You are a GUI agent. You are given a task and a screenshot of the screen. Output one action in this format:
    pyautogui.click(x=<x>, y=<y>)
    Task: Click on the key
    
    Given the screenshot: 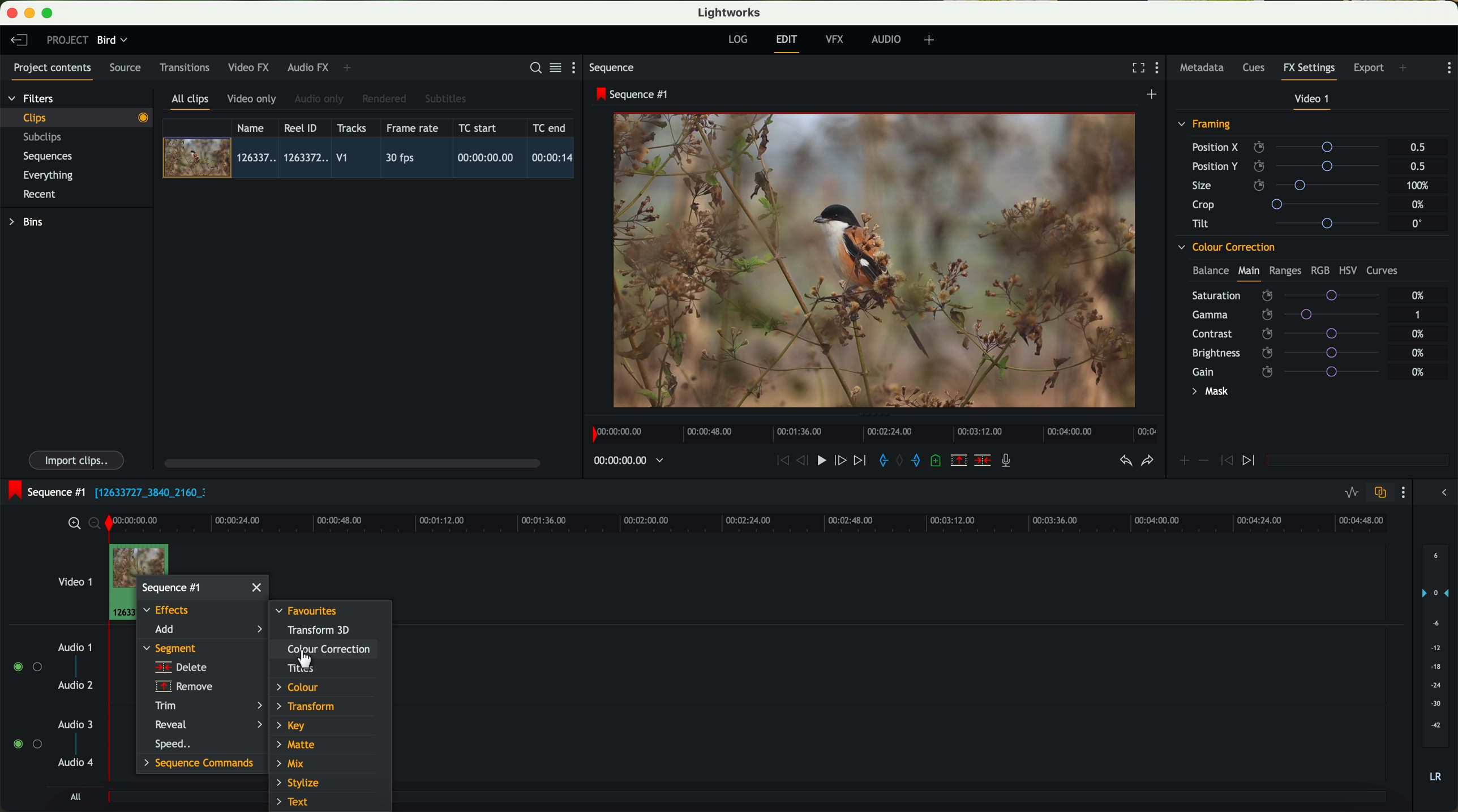 What is the action you would take?
    pyautogui.click(x=293, y=726)
    